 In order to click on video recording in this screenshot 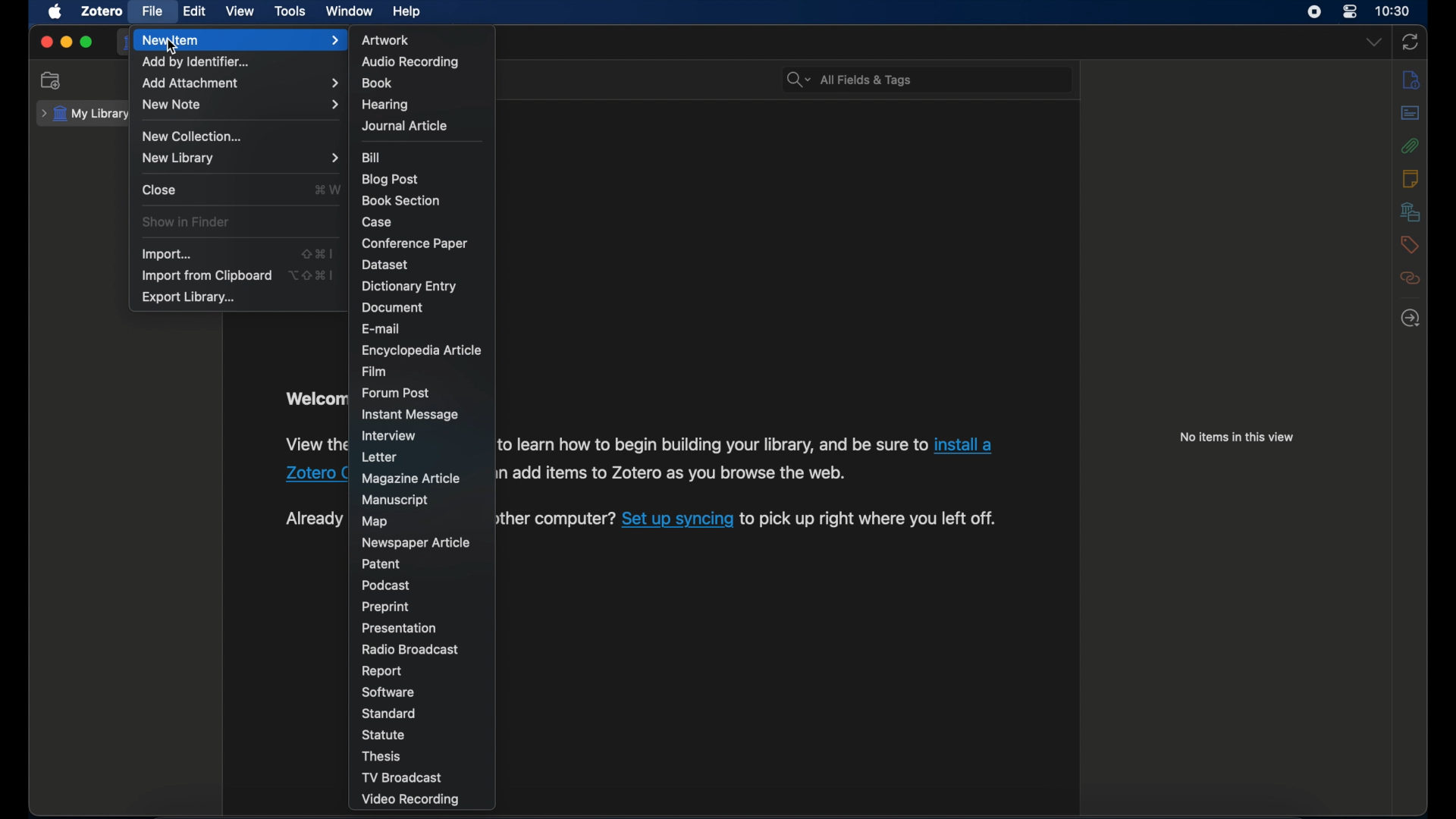, I will do `click(410, 799)`.